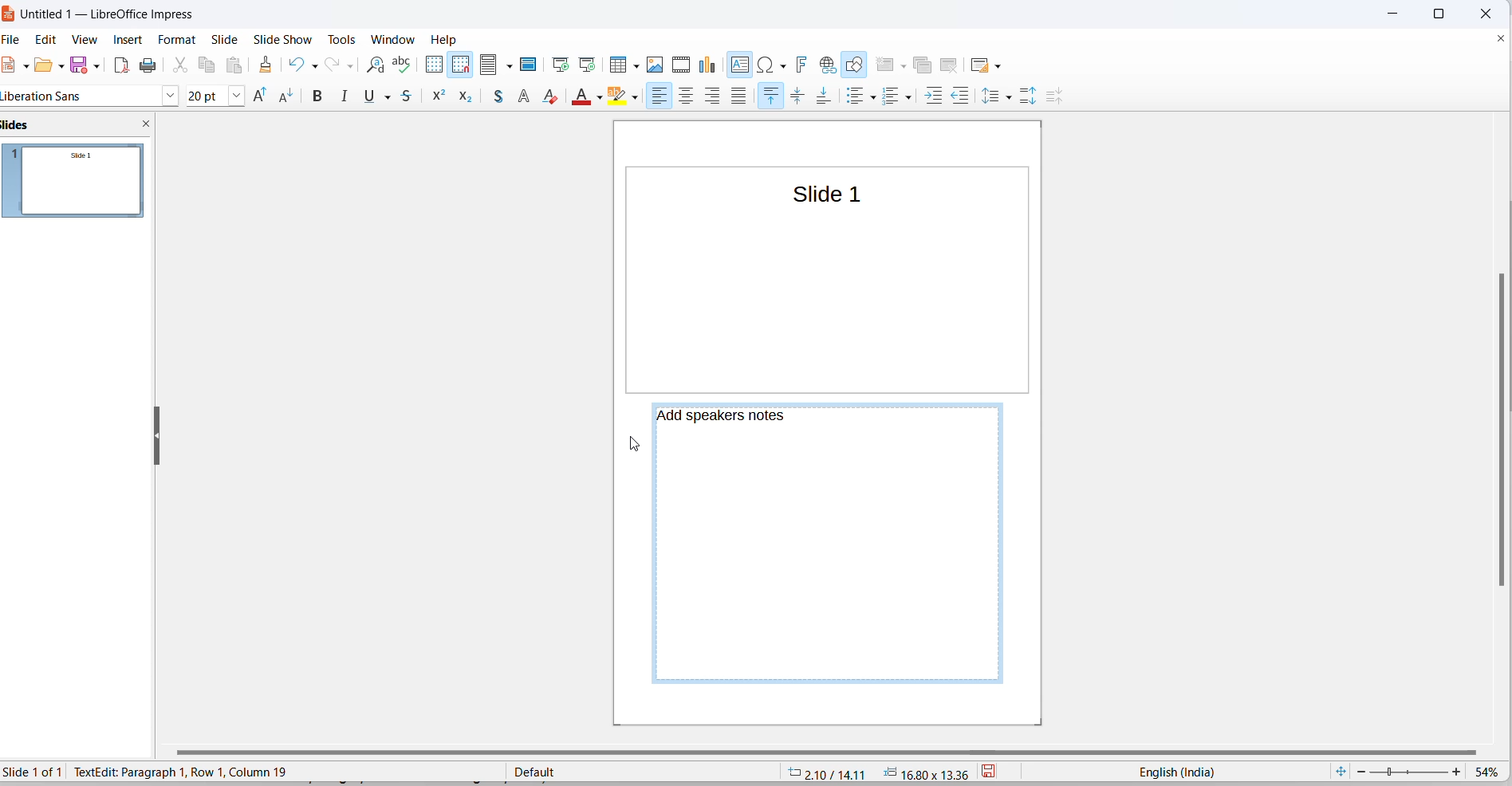 This screenshot has height=786, width=1512. Describe the element at coordinates (319, 97) in the screenshot. I see `connectors option` at that location.